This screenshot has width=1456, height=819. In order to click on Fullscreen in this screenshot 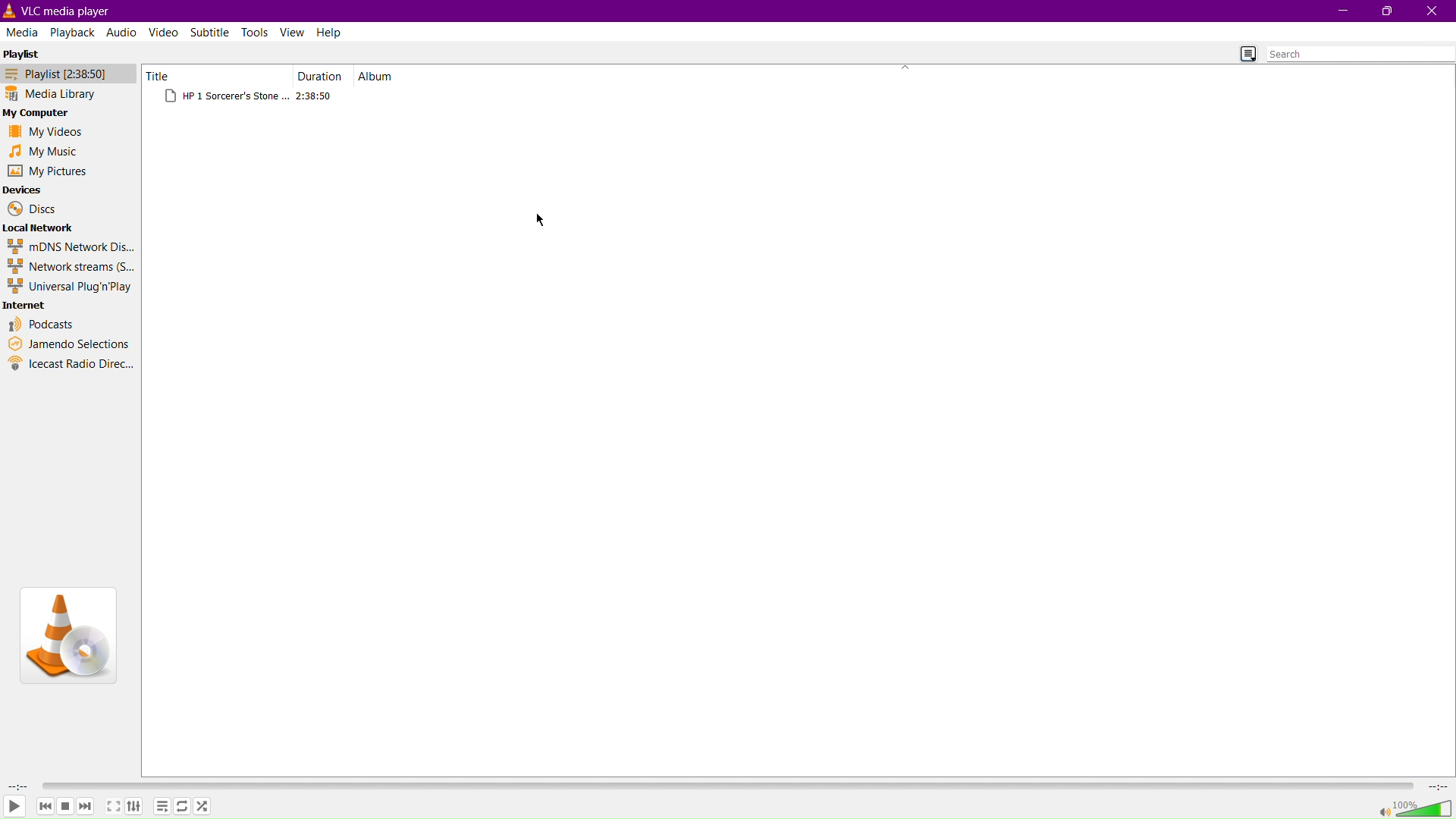, I will do `click(112, 808)`.